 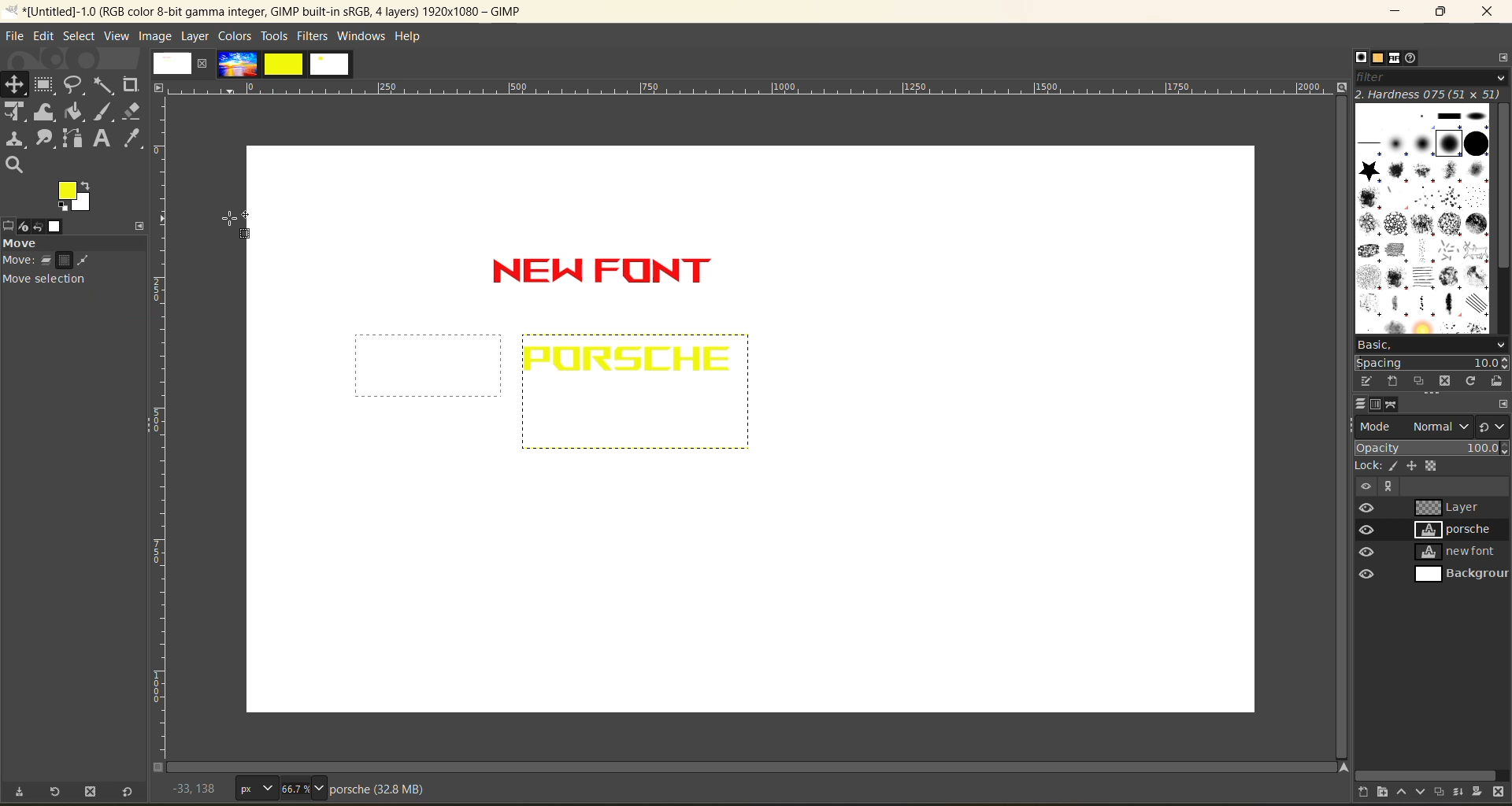 What do you see at coordinates (104, 85) in the screenshot?
I see `fuzzy text tool` at bounding box center [104, 85].